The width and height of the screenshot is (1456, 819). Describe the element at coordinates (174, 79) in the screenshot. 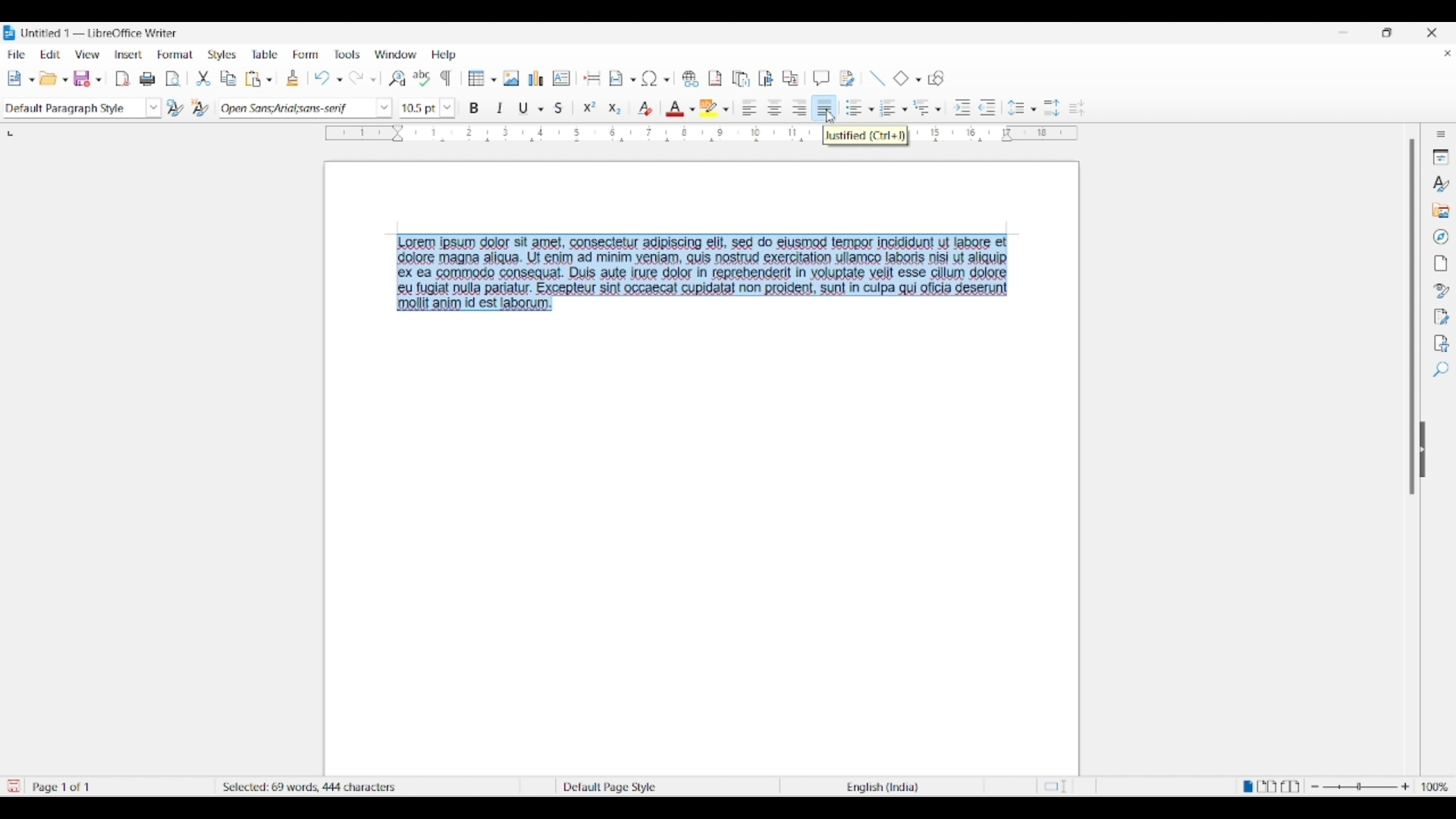

I see `Toggle print preview` at that location.